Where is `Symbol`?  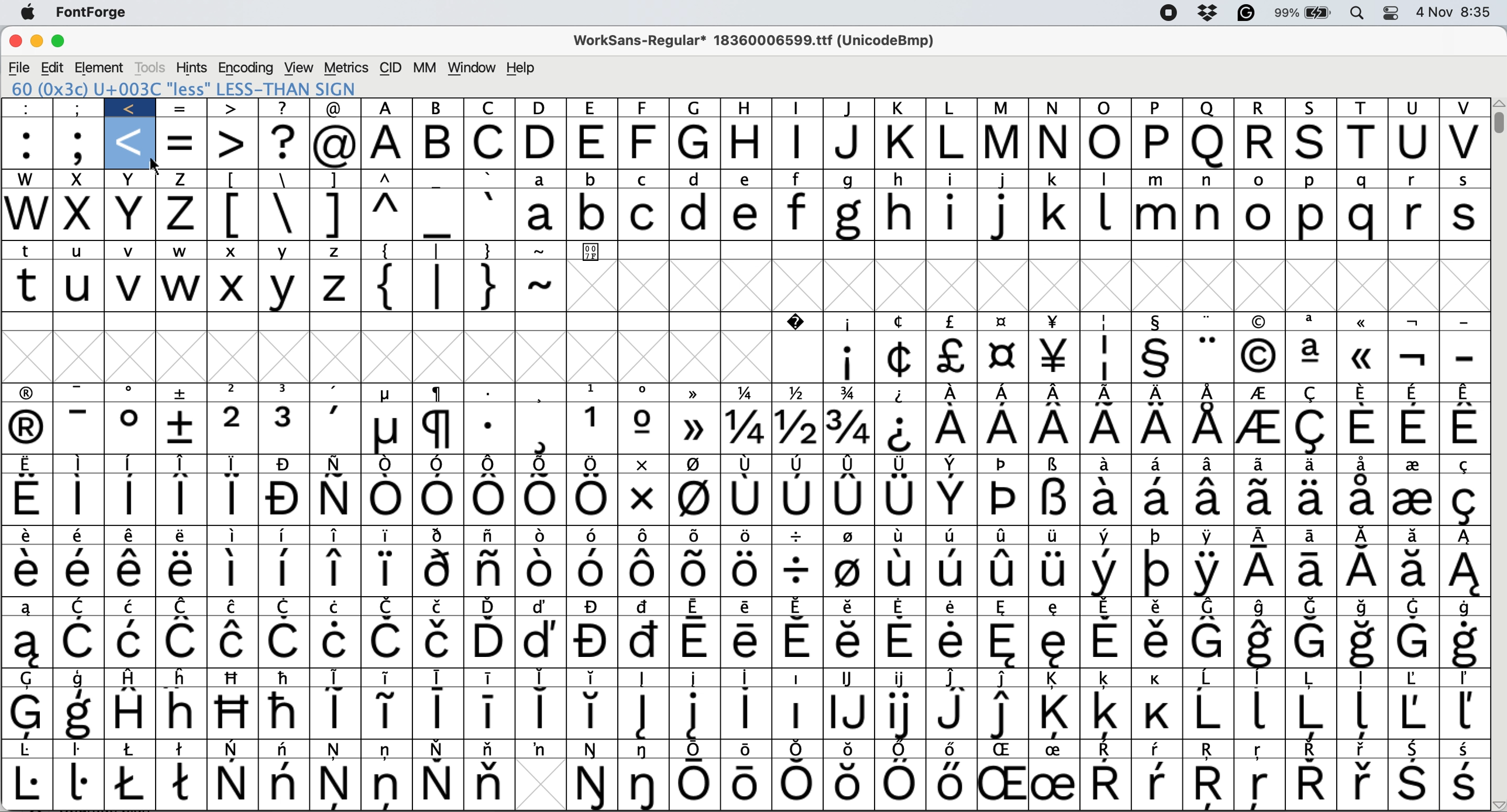
Symbol is located at coordinates (1107, 750).